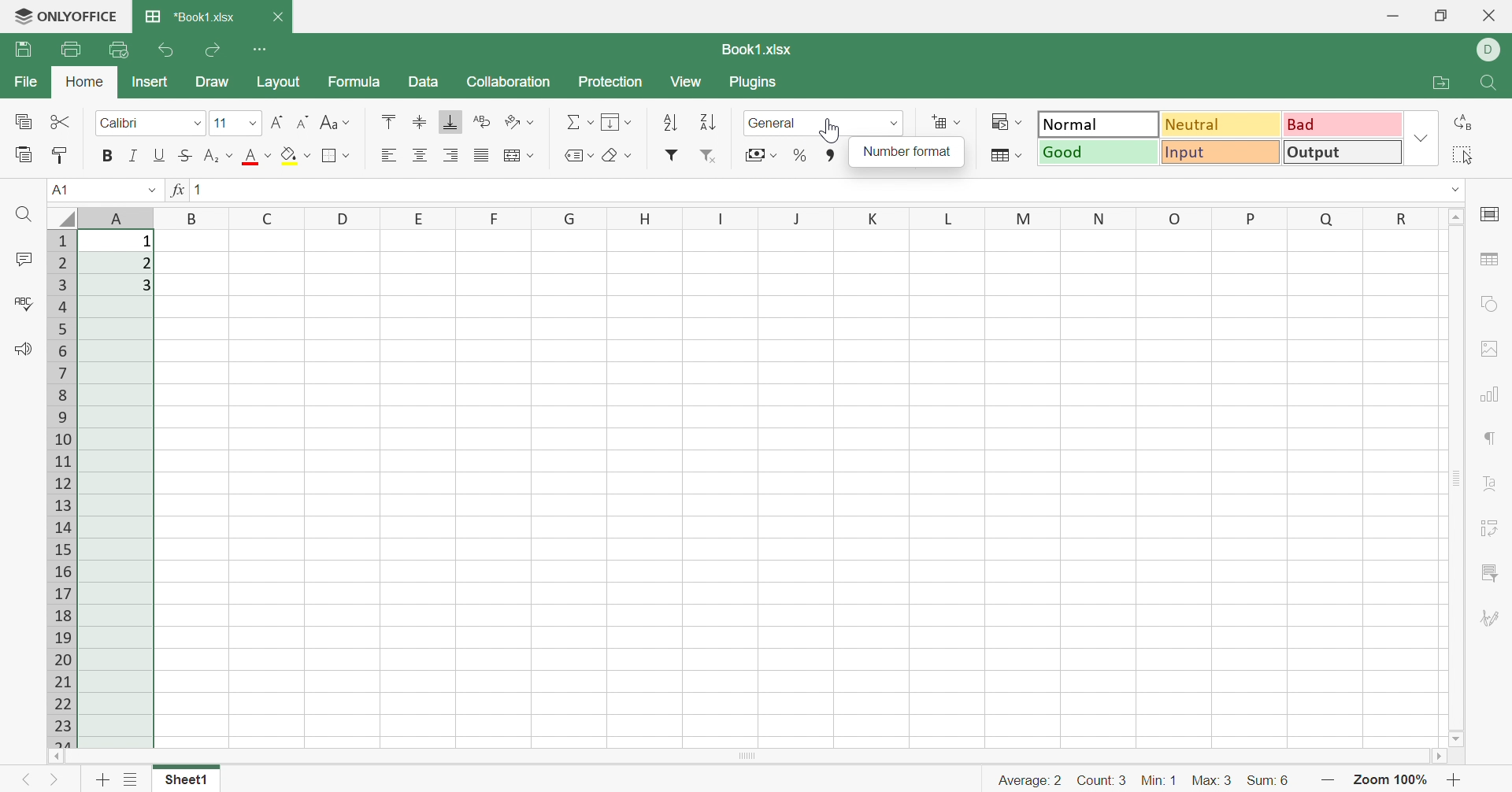  Describe the element at coordinates (830, 130) in the screenshot. I see `Cursor` at that location.